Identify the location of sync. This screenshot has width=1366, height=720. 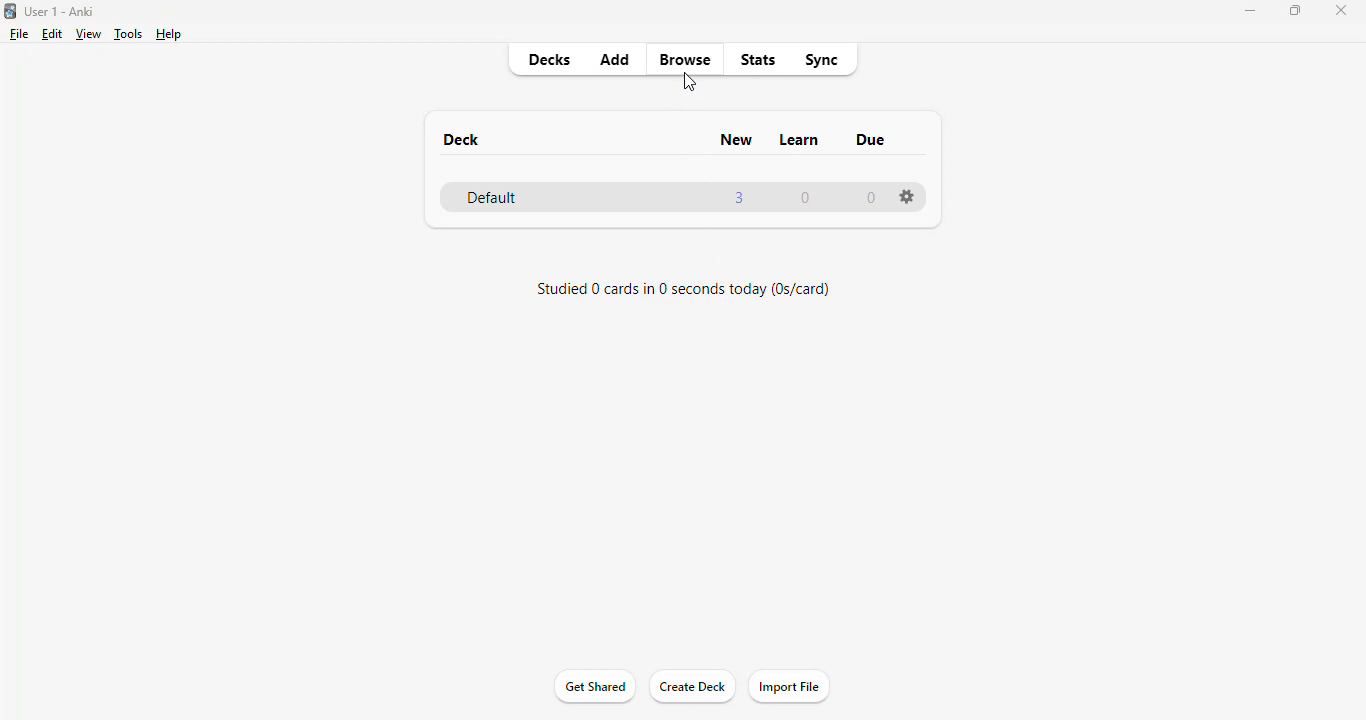
(823, 60).